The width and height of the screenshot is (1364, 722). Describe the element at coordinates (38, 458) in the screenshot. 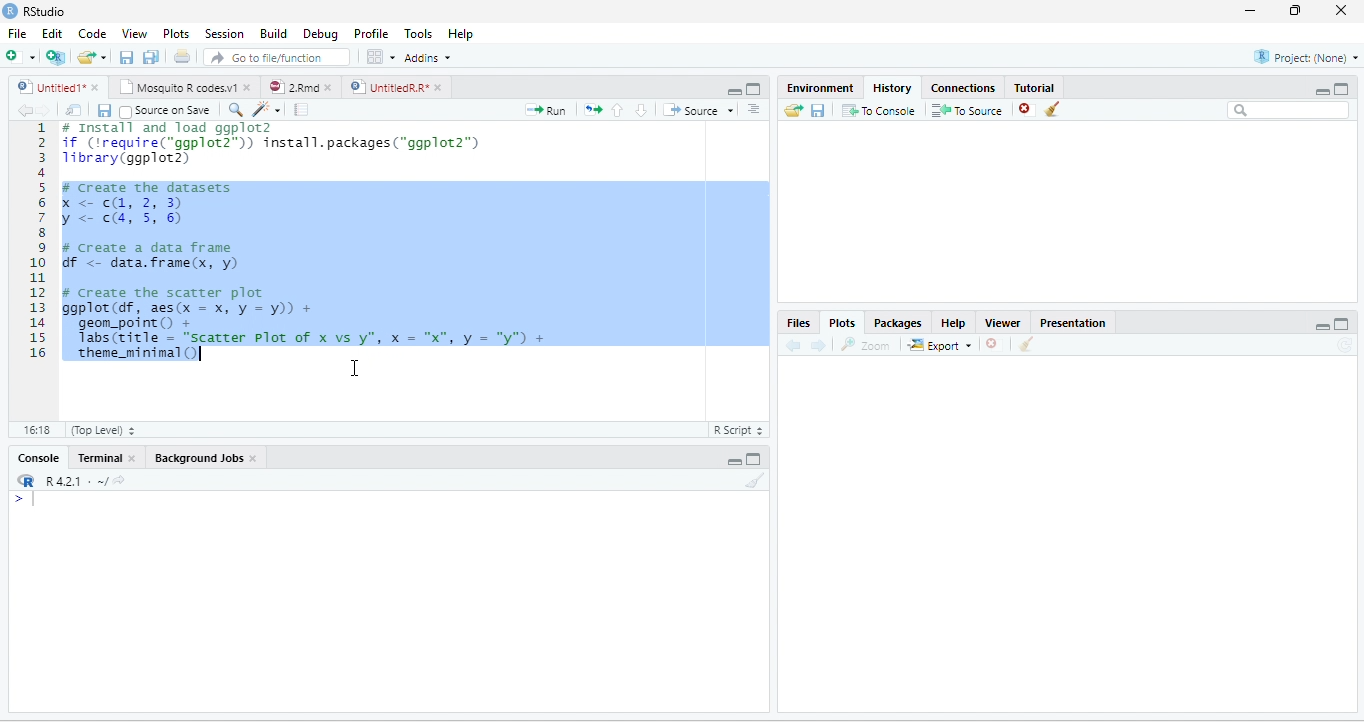

I see `Console` at that location.